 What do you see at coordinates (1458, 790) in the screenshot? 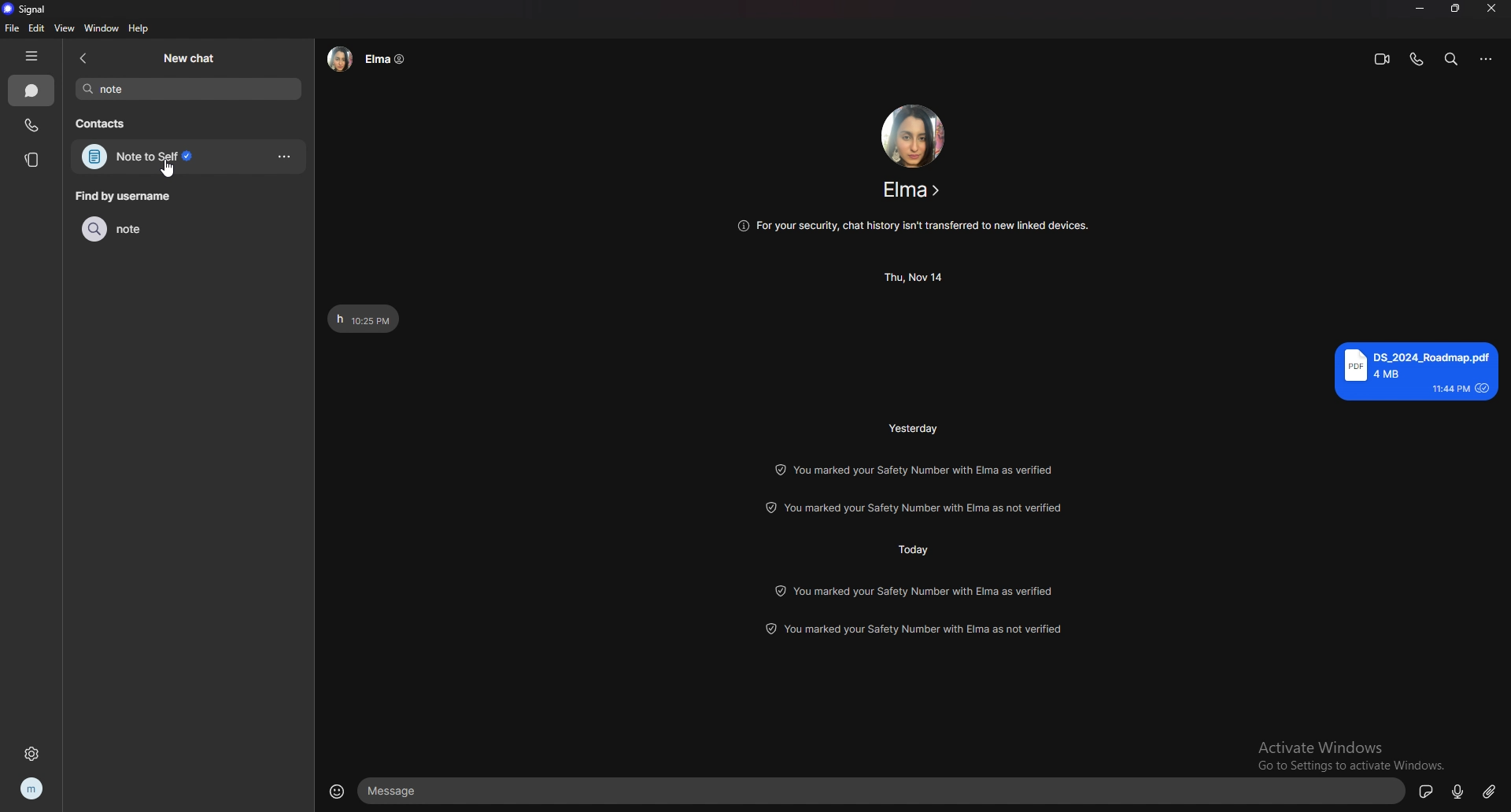
I see `voice message` at bounding box center [1458, 790].